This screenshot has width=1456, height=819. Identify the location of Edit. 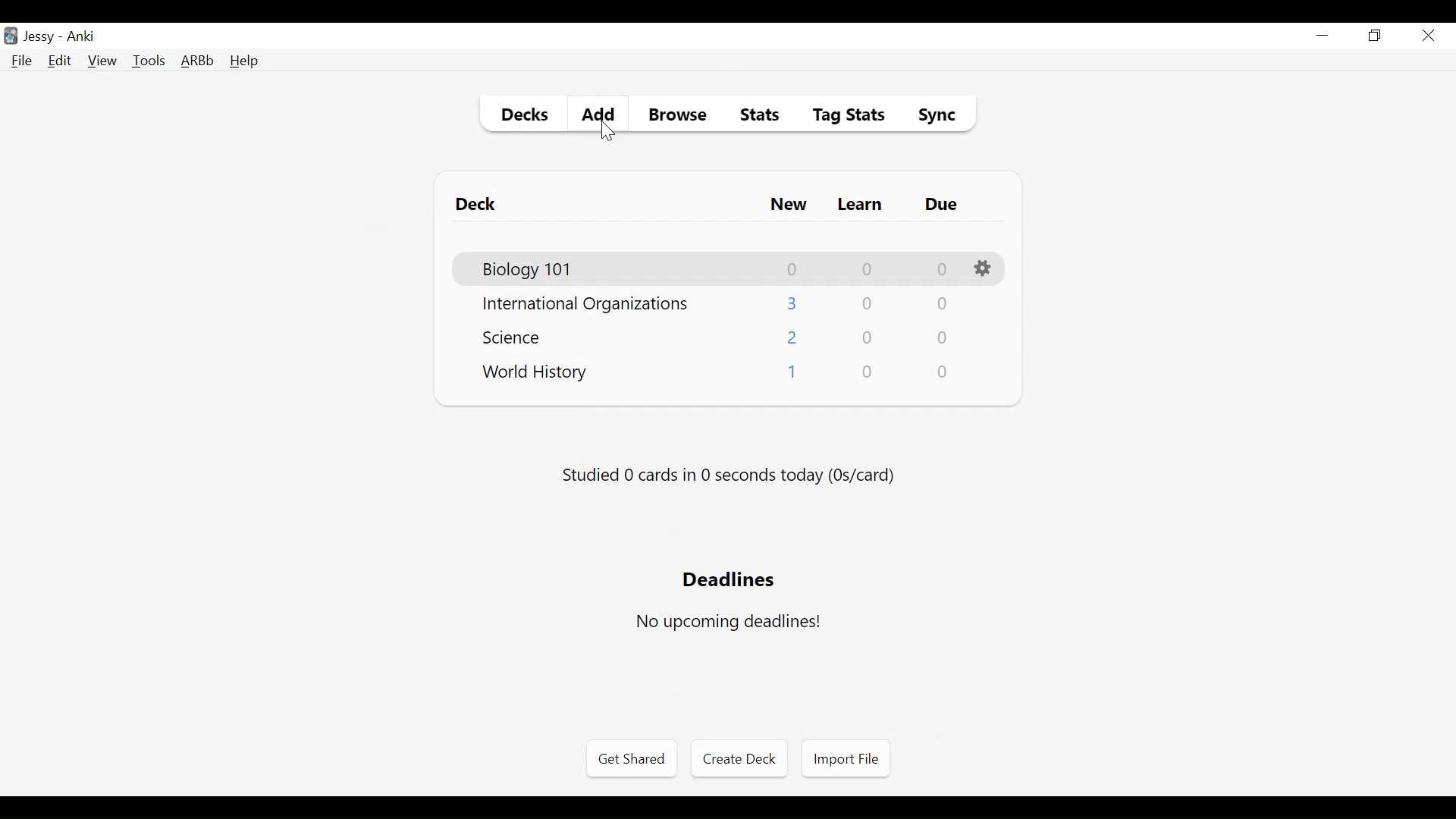
(58, 62).